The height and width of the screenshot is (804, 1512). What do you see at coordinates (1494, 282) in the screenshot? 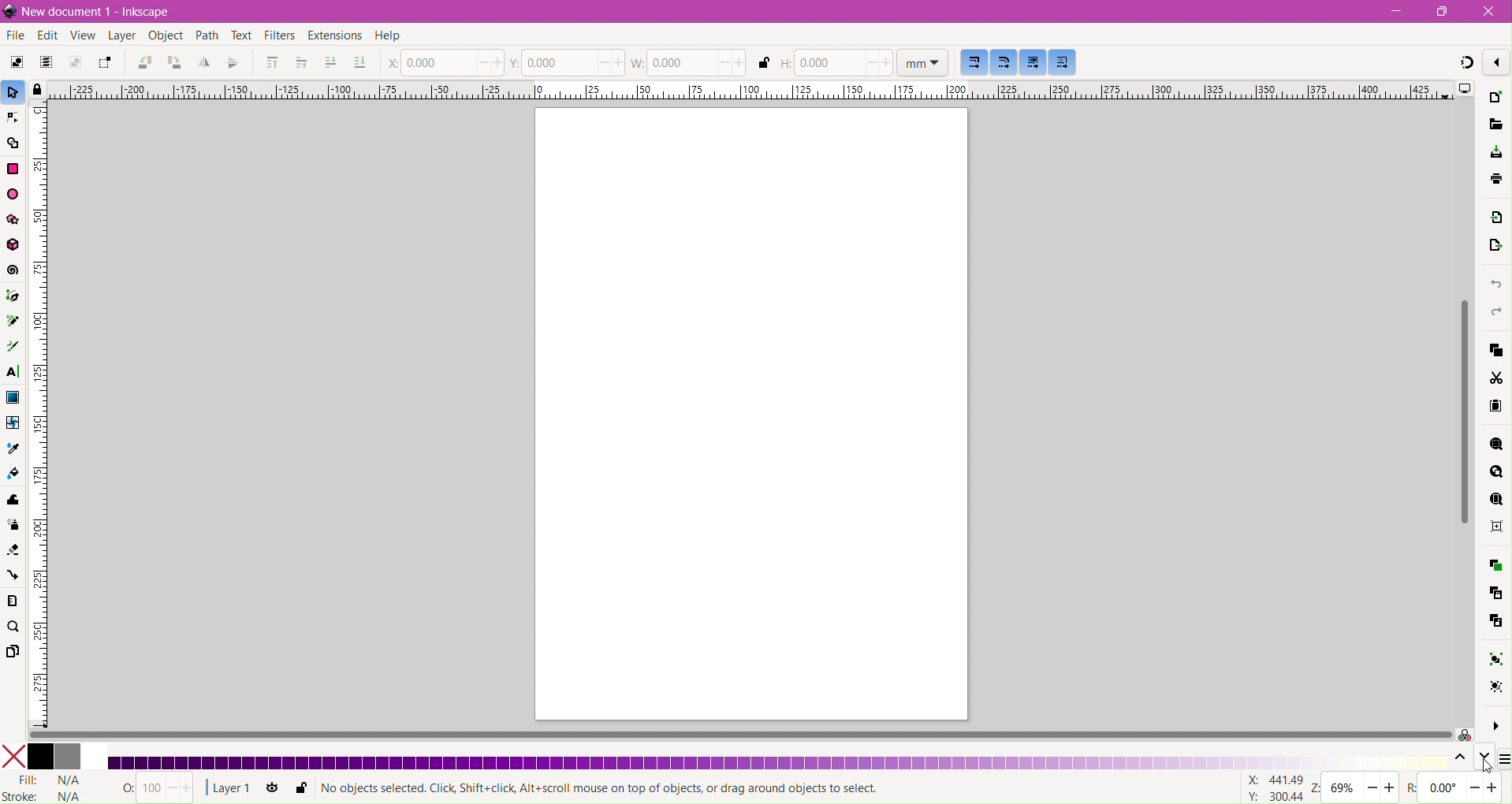
I see `Undo` at bounding box center [1494, 282].